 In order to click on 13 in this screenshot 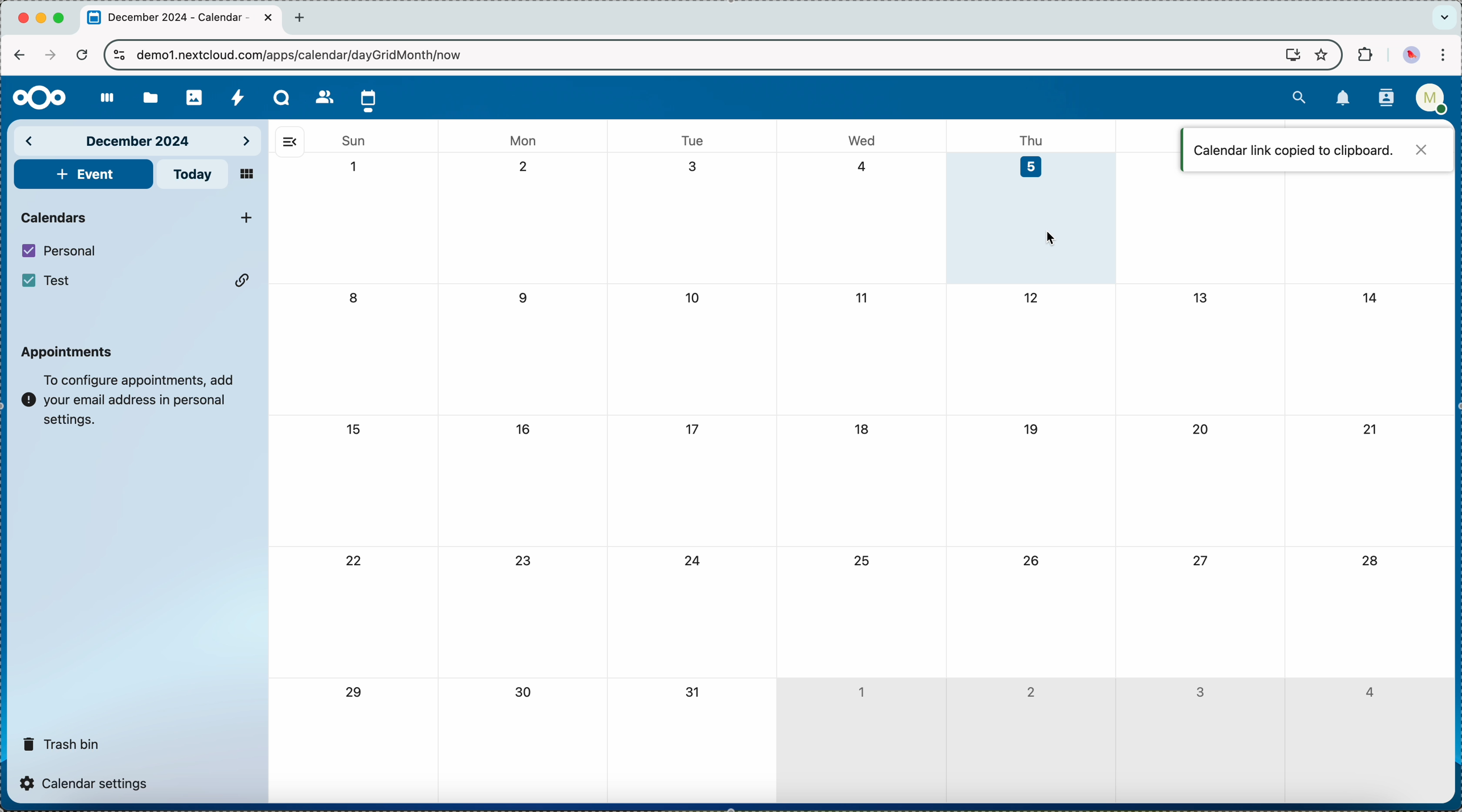, I will do `click(1200, 297)`.